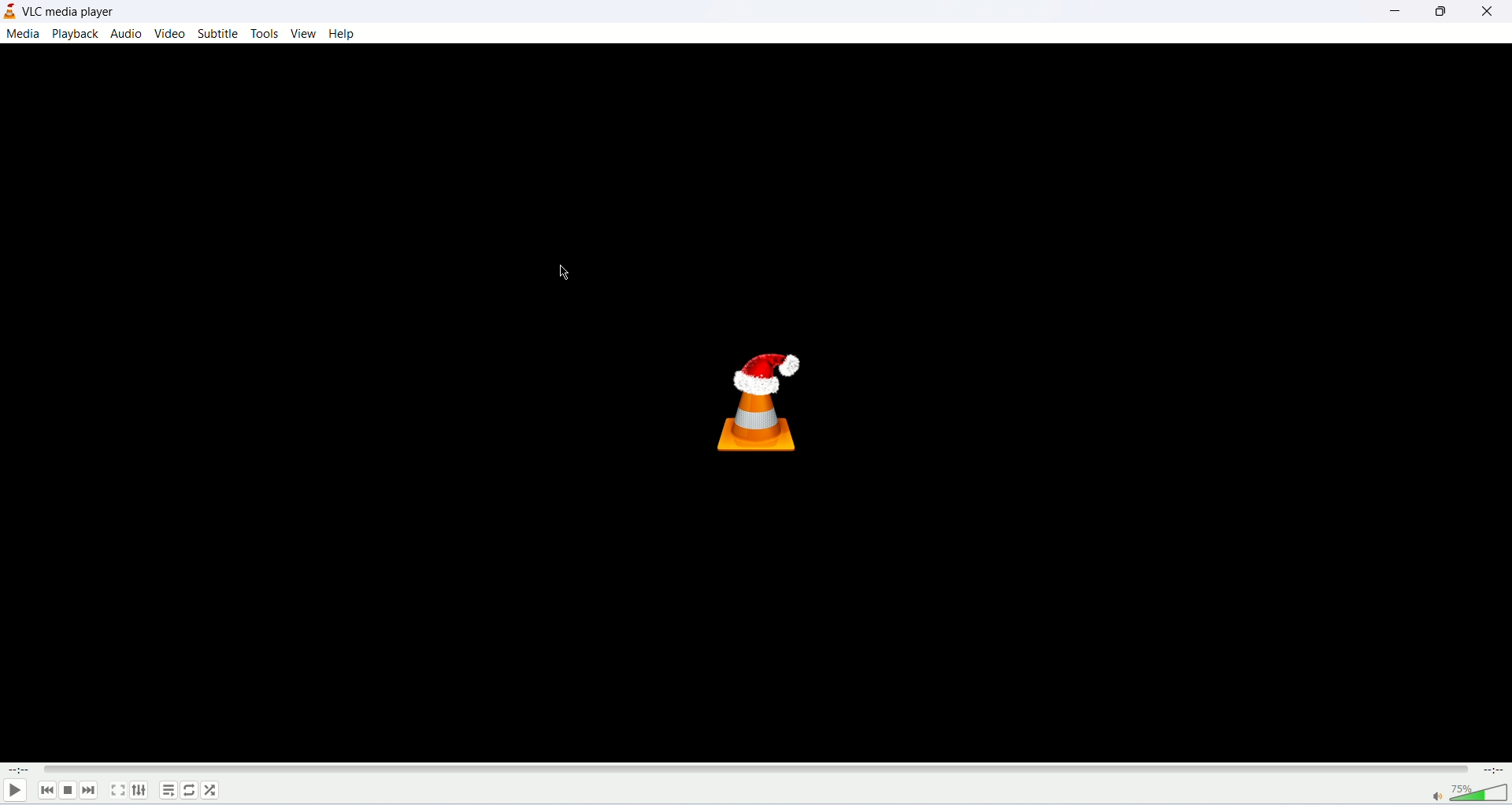 The width and height of the screenshot is (1512, 805). I want to click on video, so click(170, 33).